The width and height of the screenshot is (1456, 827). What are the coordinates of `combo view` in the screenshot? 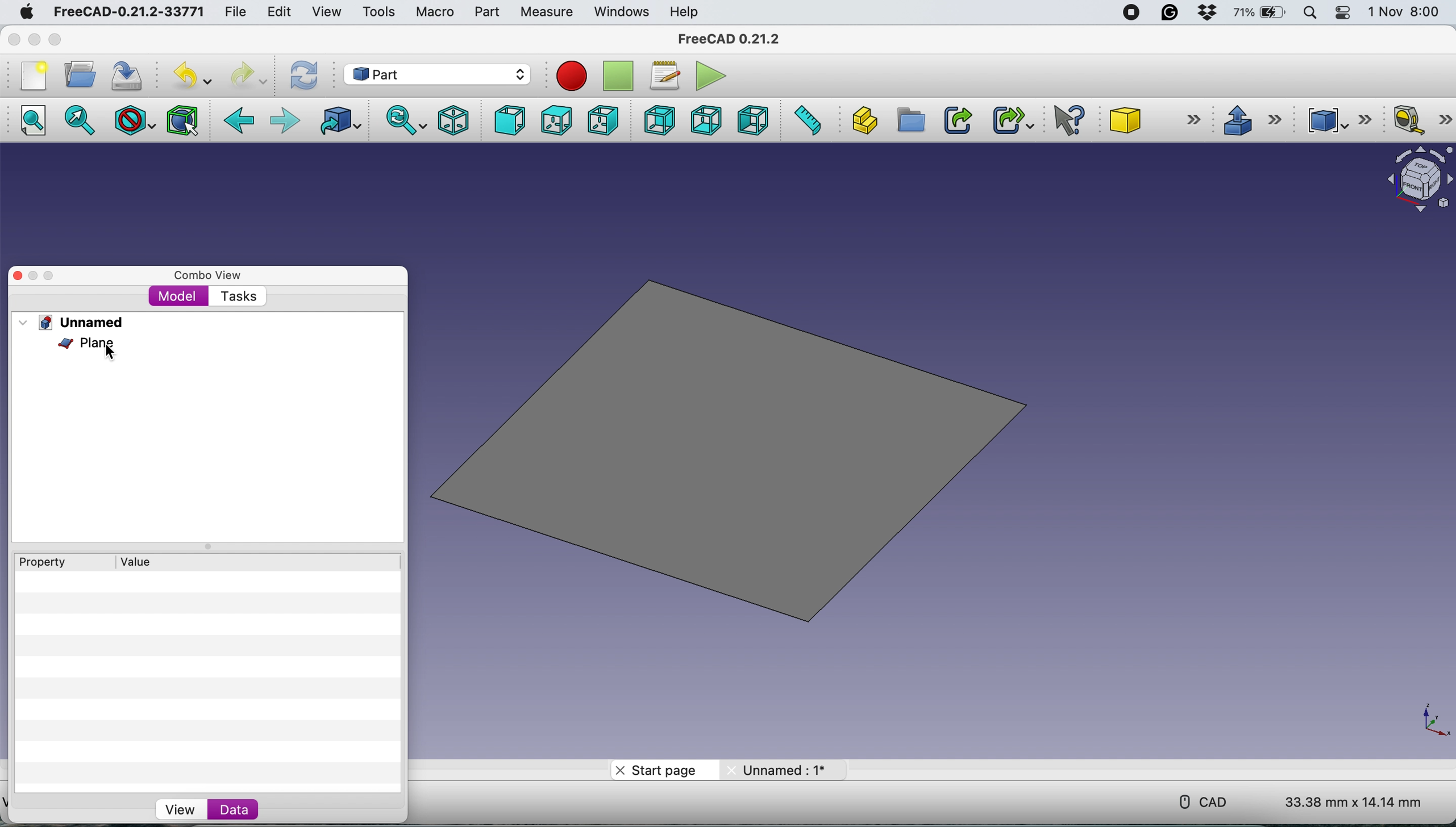 It's located at (213, 276).